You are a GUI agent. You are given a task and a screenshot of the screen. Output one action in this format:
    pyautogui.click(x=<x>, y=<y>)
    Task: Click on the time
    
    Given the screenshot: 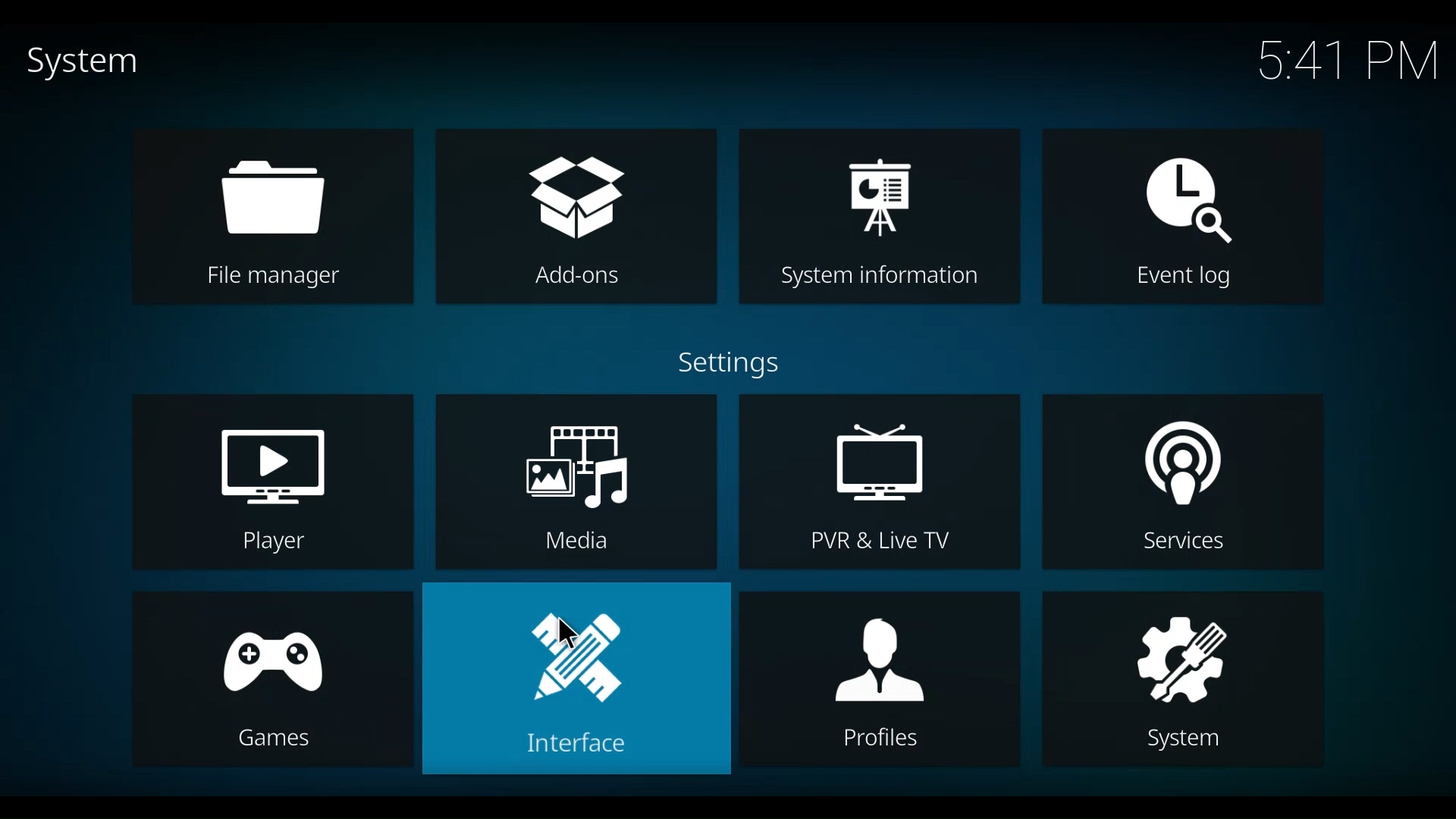 What is the action you would take?
    pyautogui.click(x=1345, y=61)
    